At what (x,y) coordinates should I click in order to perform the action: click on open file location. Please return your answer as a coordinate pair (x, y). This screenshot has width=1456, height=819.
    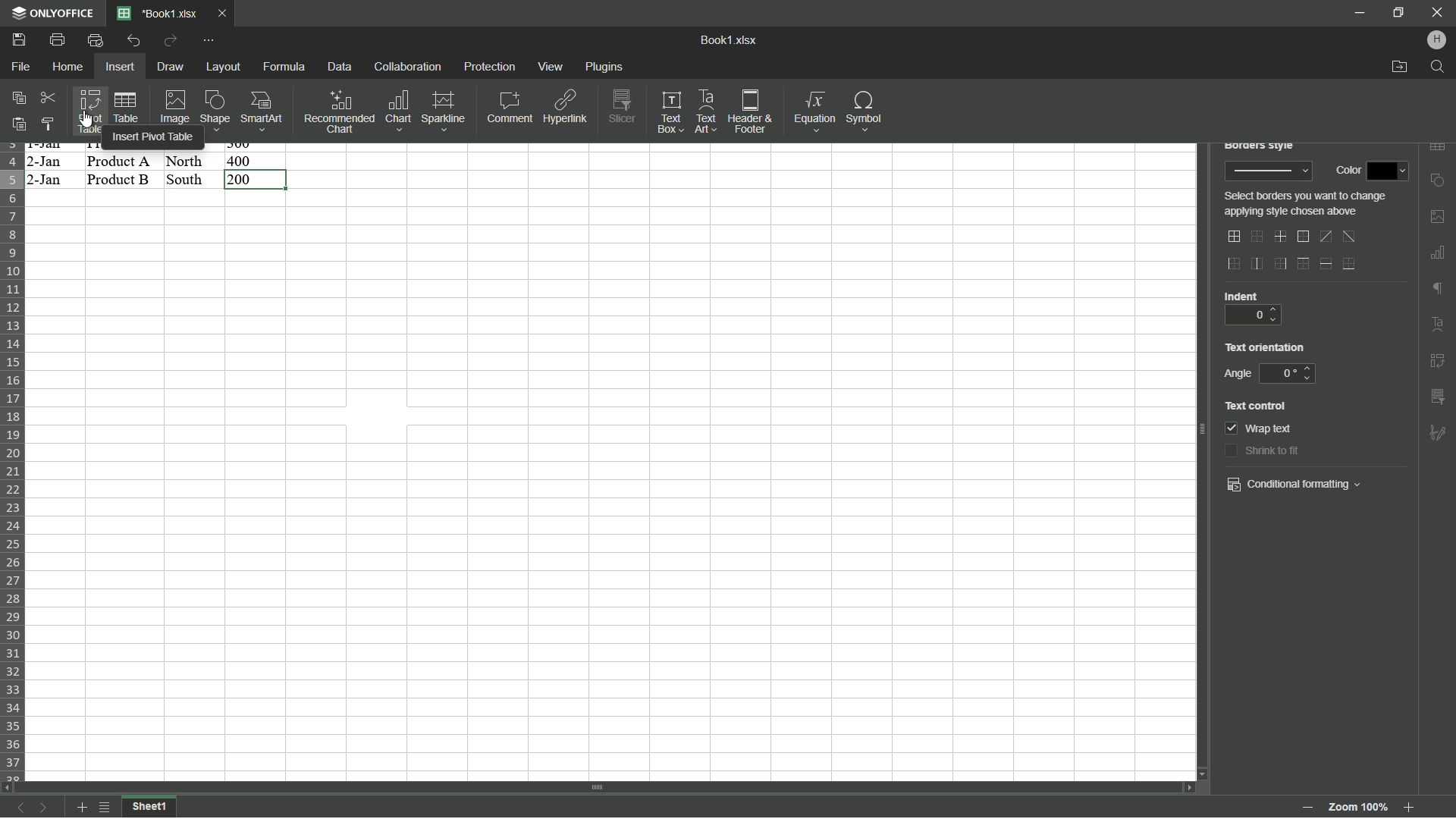
    Looking at the image, I should click on (1398, 67).